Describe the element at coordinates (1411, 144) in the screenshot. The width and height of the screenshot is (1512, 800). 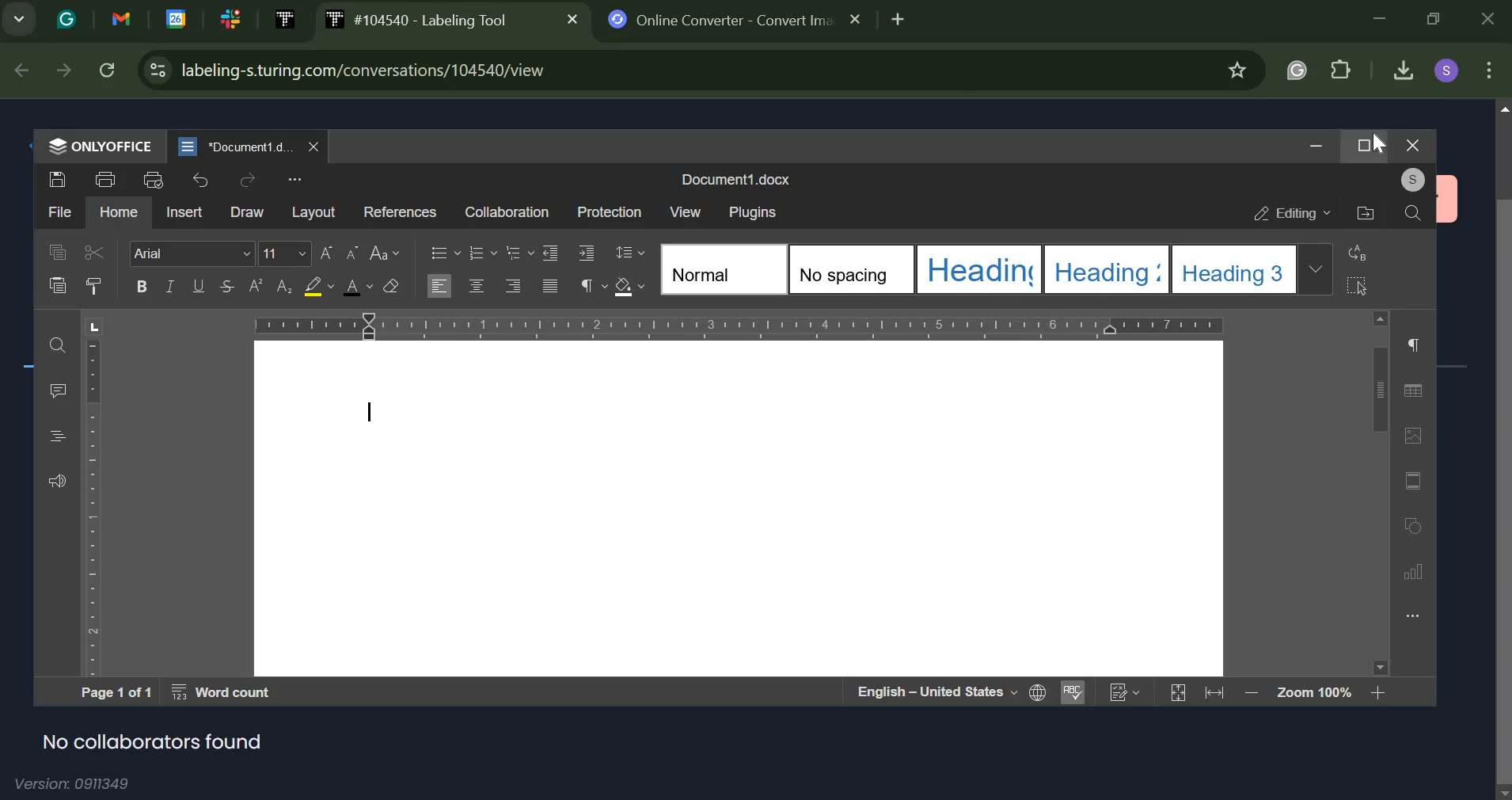
I see `exit` at that location.